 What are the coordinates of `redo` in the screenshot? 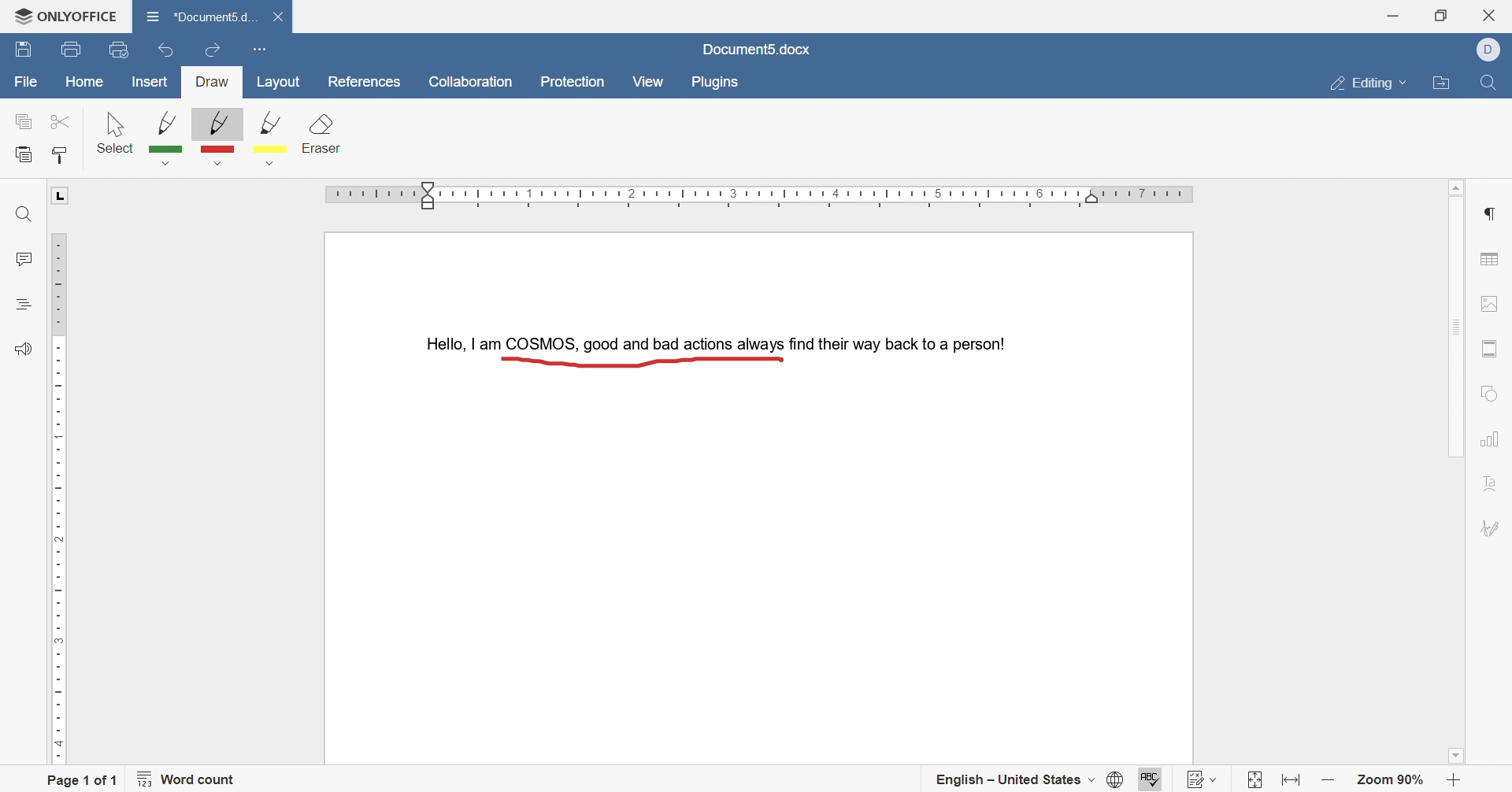 It's located at (213, 46).